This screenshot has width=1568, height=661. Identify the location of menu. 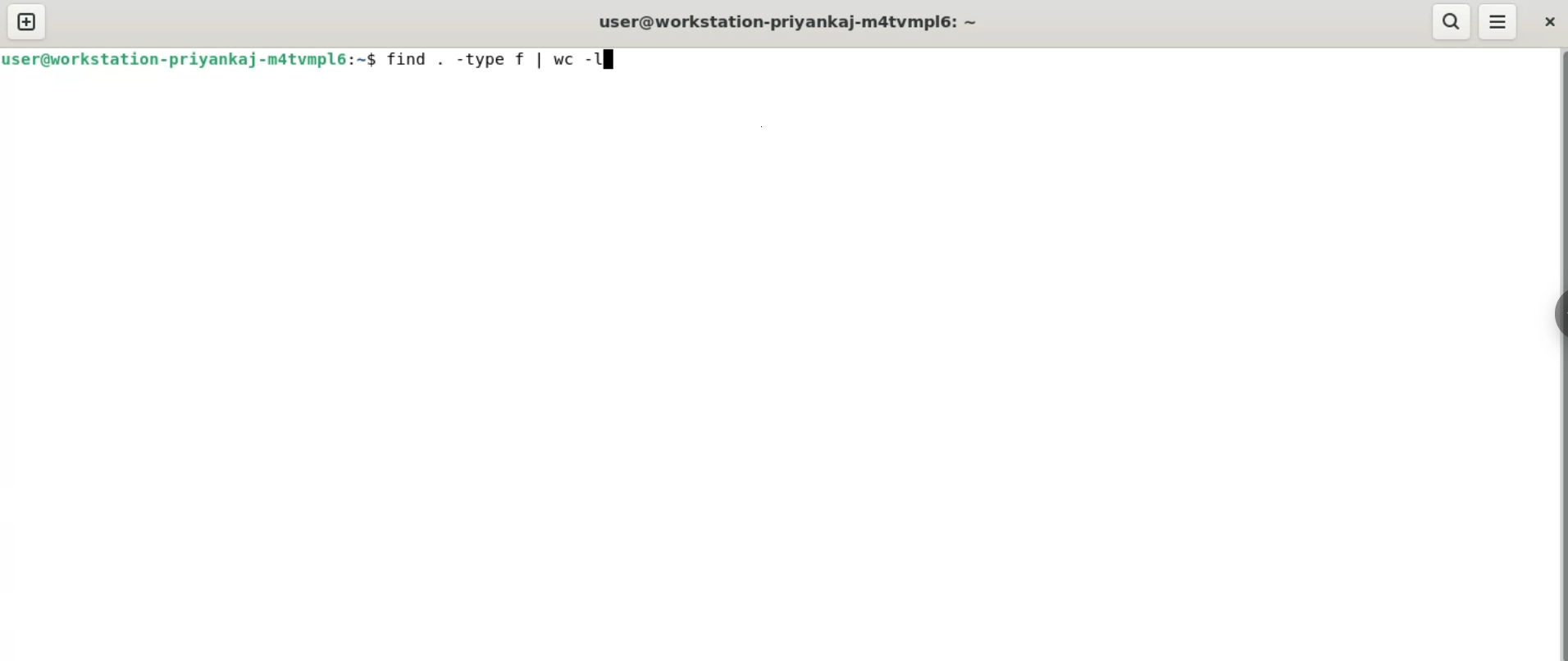
(1496, 21).